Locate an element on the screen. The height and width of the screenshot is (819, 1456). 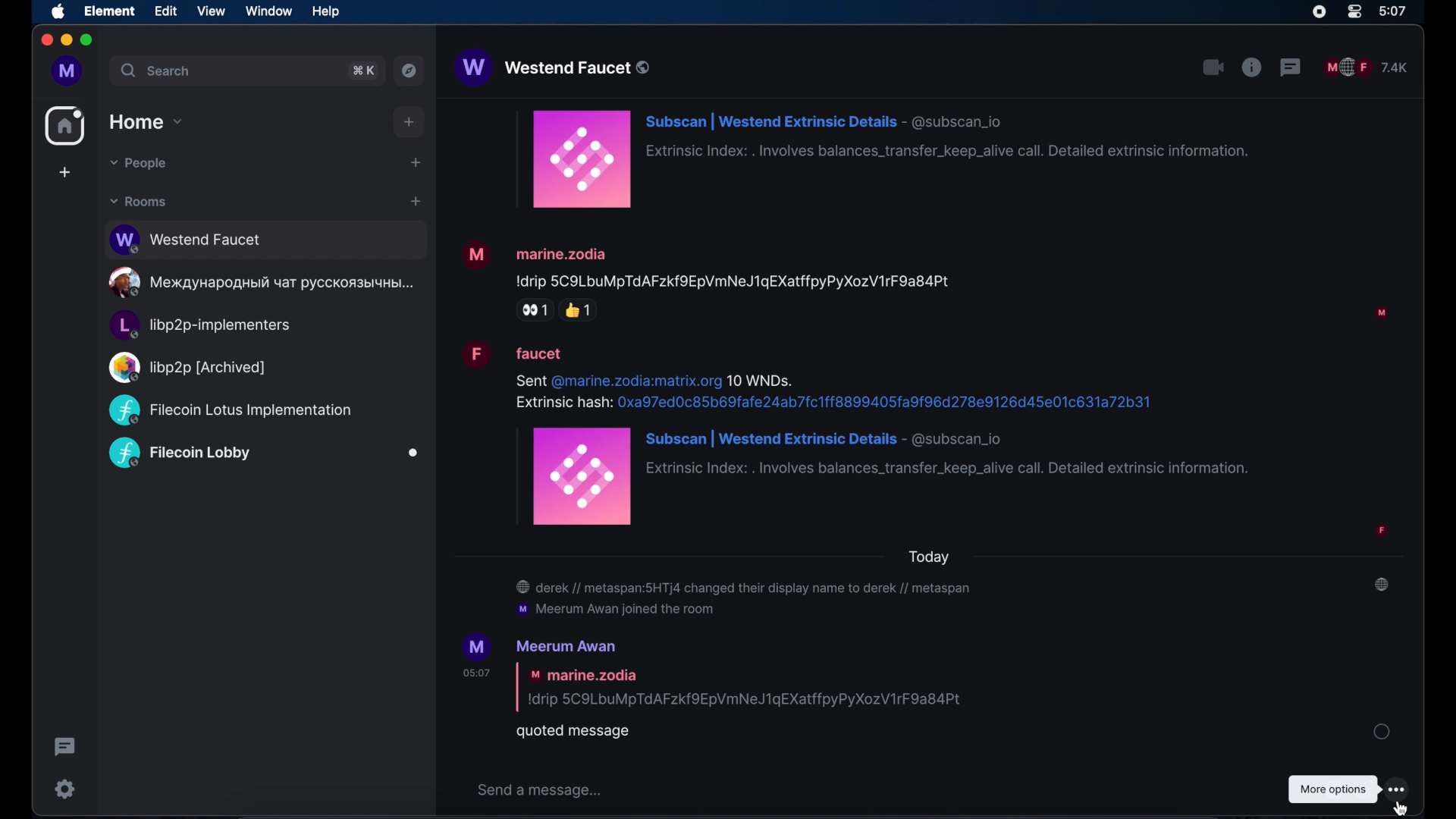
apple icon is located at coordinates (59, 13).